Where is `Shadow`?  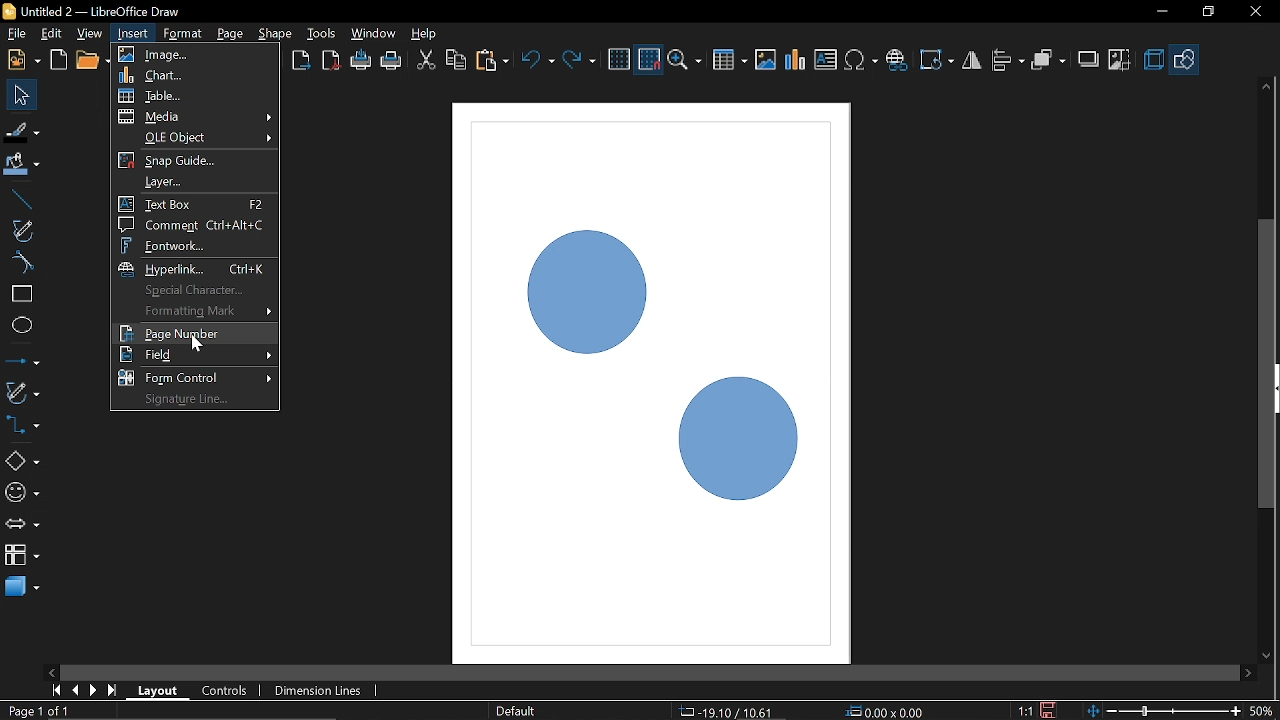 Shadow is located at coordinates (1089, 62).